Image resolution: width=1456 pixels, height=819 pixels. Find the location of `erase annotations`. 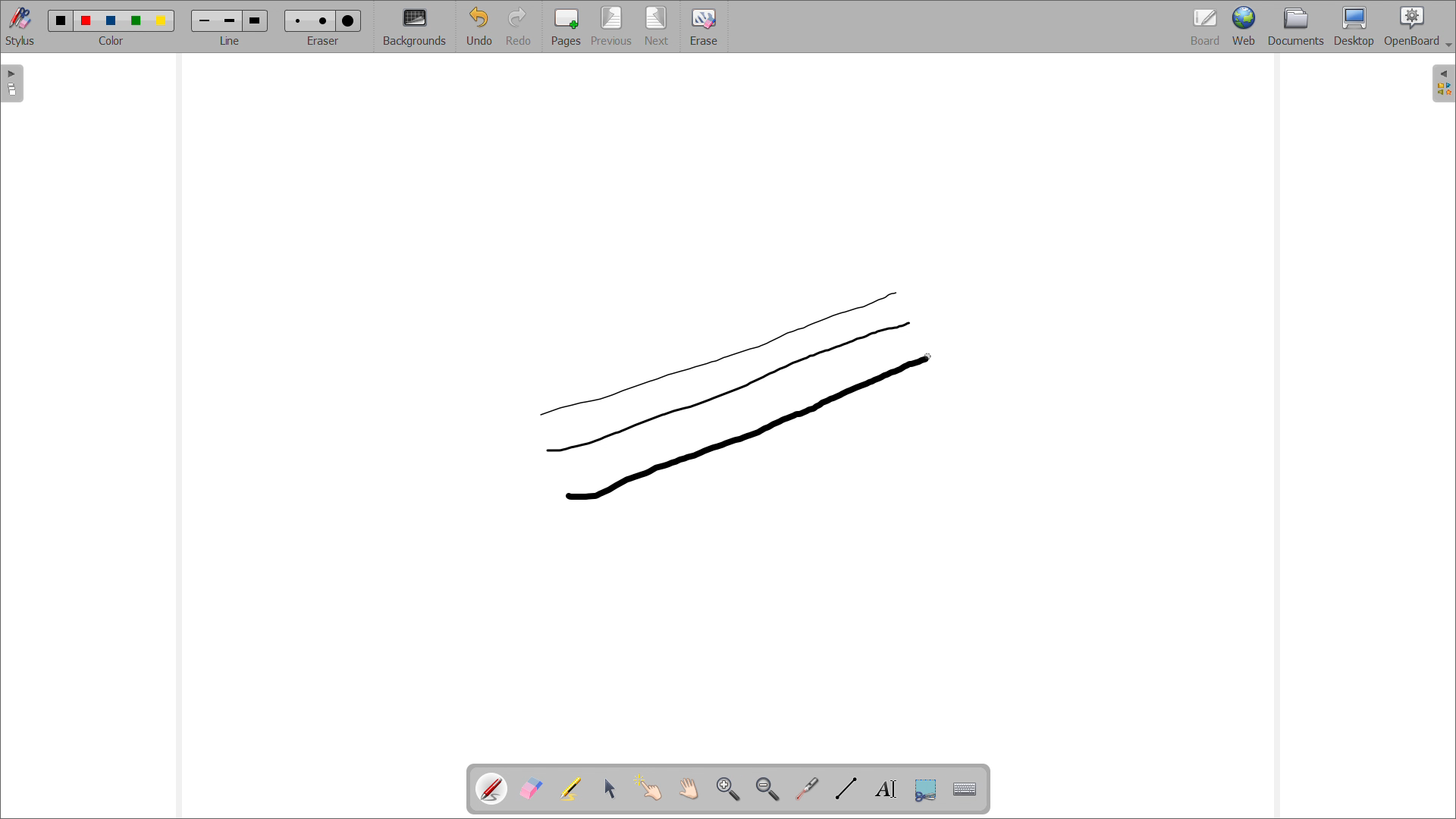

erase annotations is located at coordinates (532, 789).